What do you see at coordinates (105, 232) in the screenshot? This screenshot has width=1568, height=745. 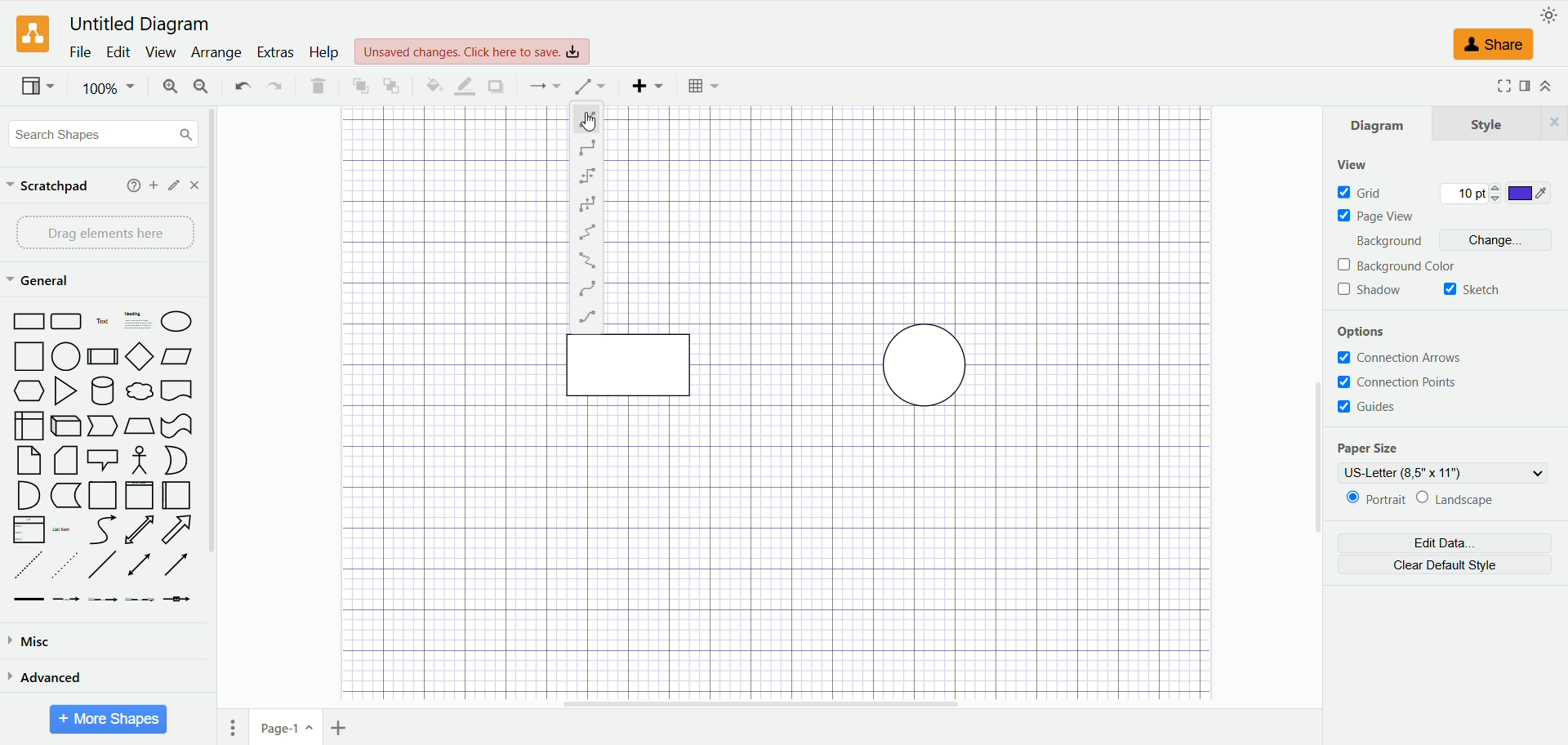 I see `drag elements here` at bounding box center [105, 232].